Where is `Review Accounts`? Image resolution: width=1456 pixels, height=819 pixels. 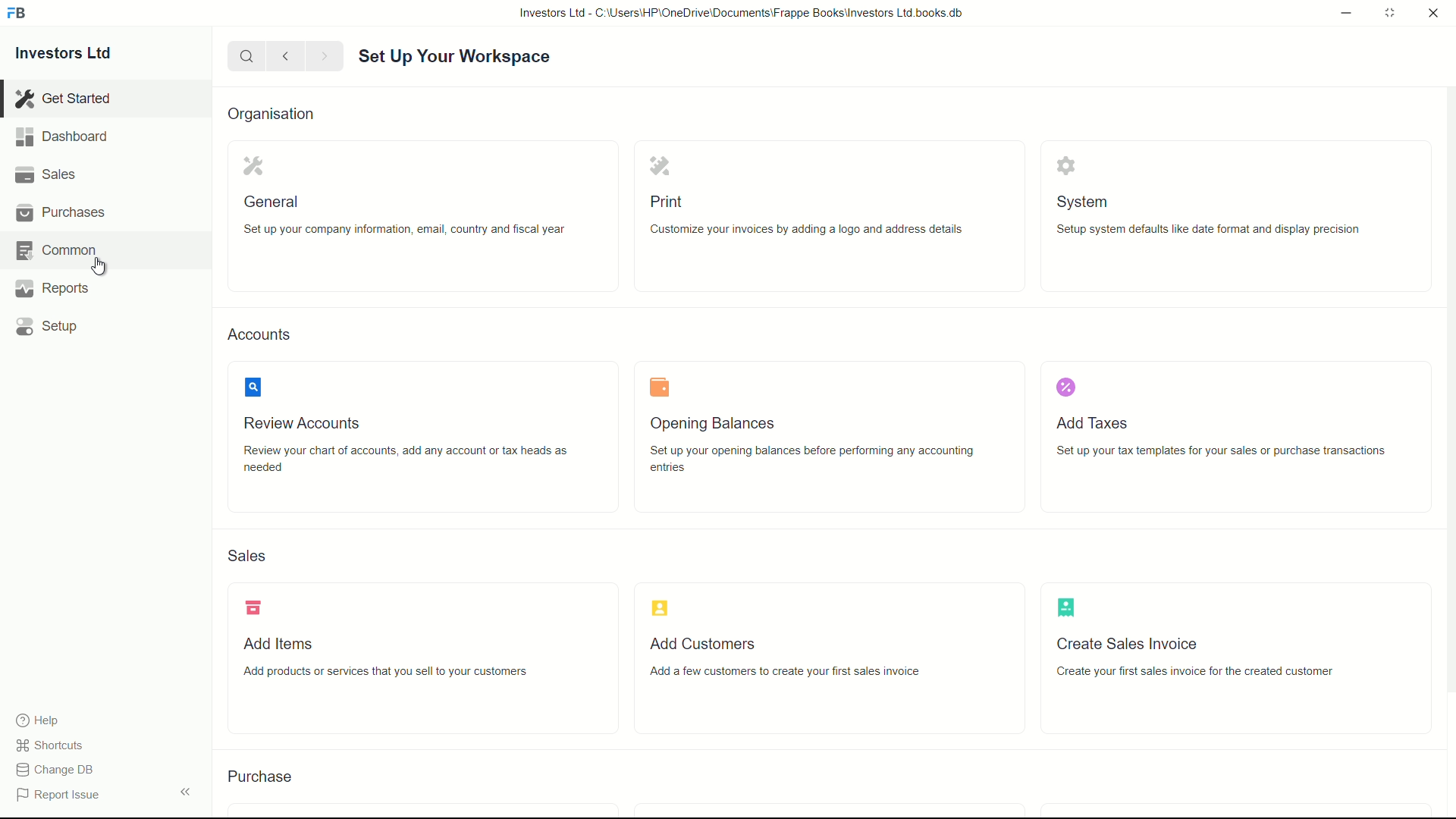 Review Accounts is located at coordinates (314, 425).